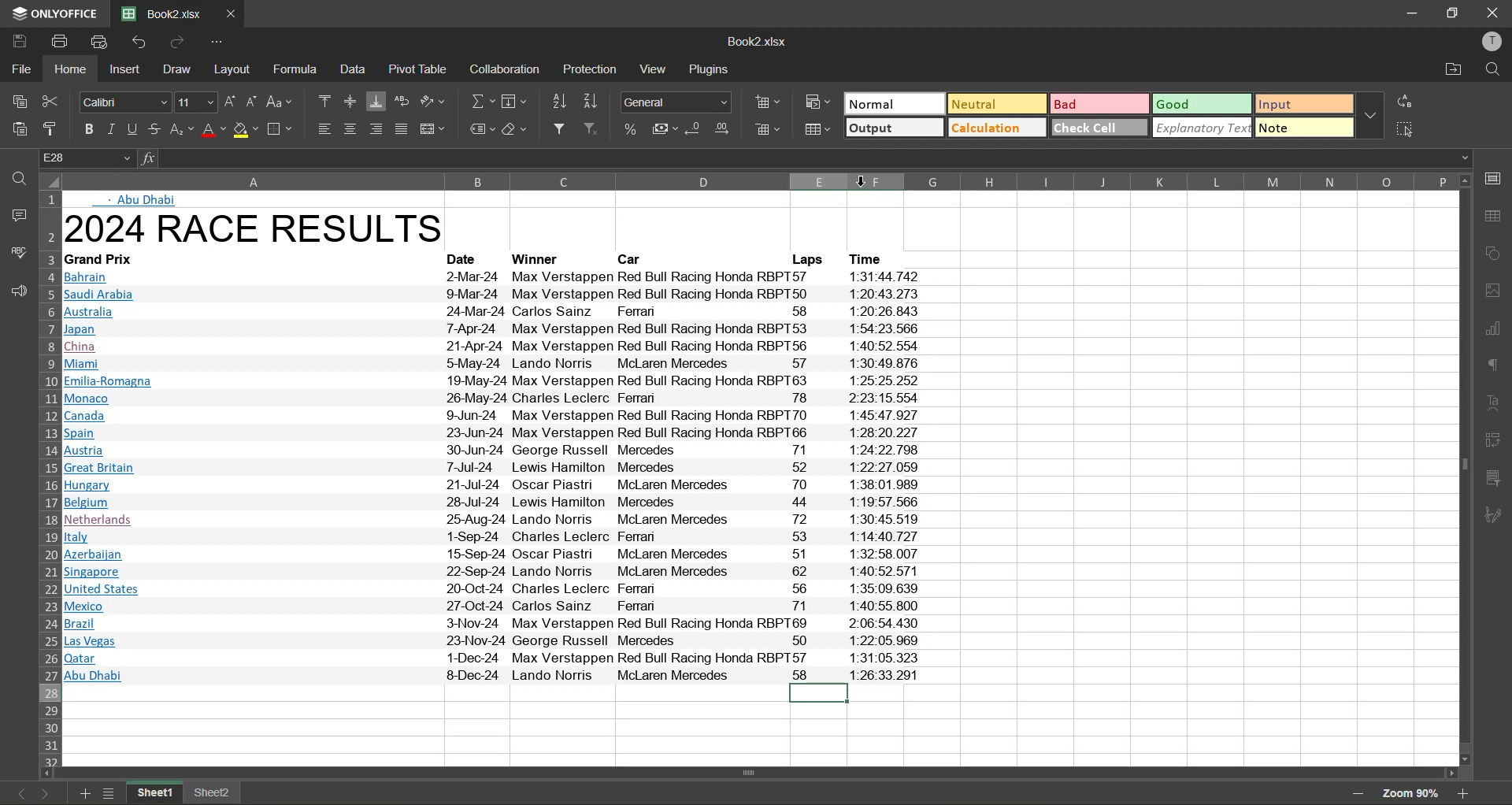  Describe the element at coordinates (403, 129) in the screenshot. I see `justified` at that location.